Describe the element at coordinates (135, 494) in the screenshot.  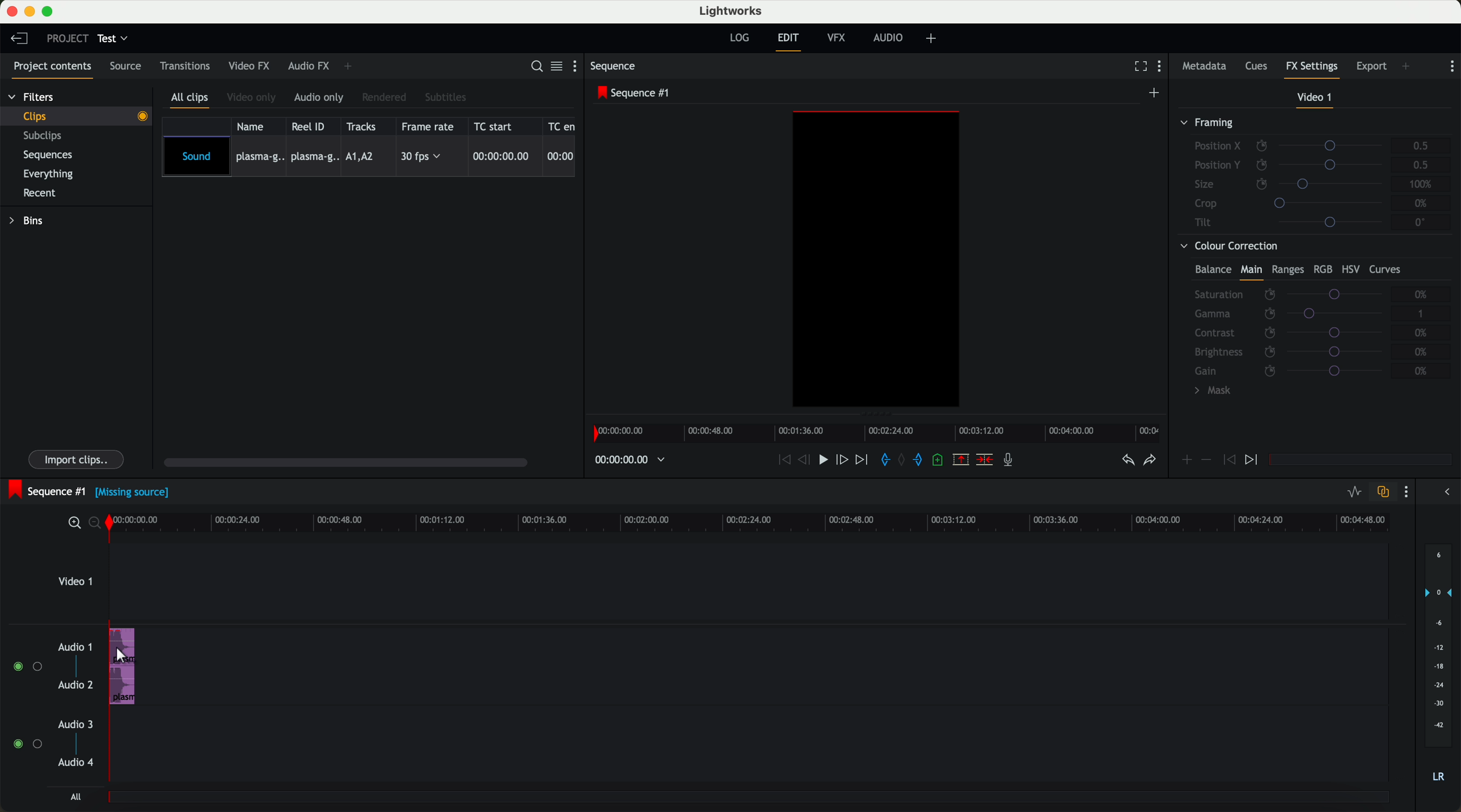
I see `(Missing source)` at that location.